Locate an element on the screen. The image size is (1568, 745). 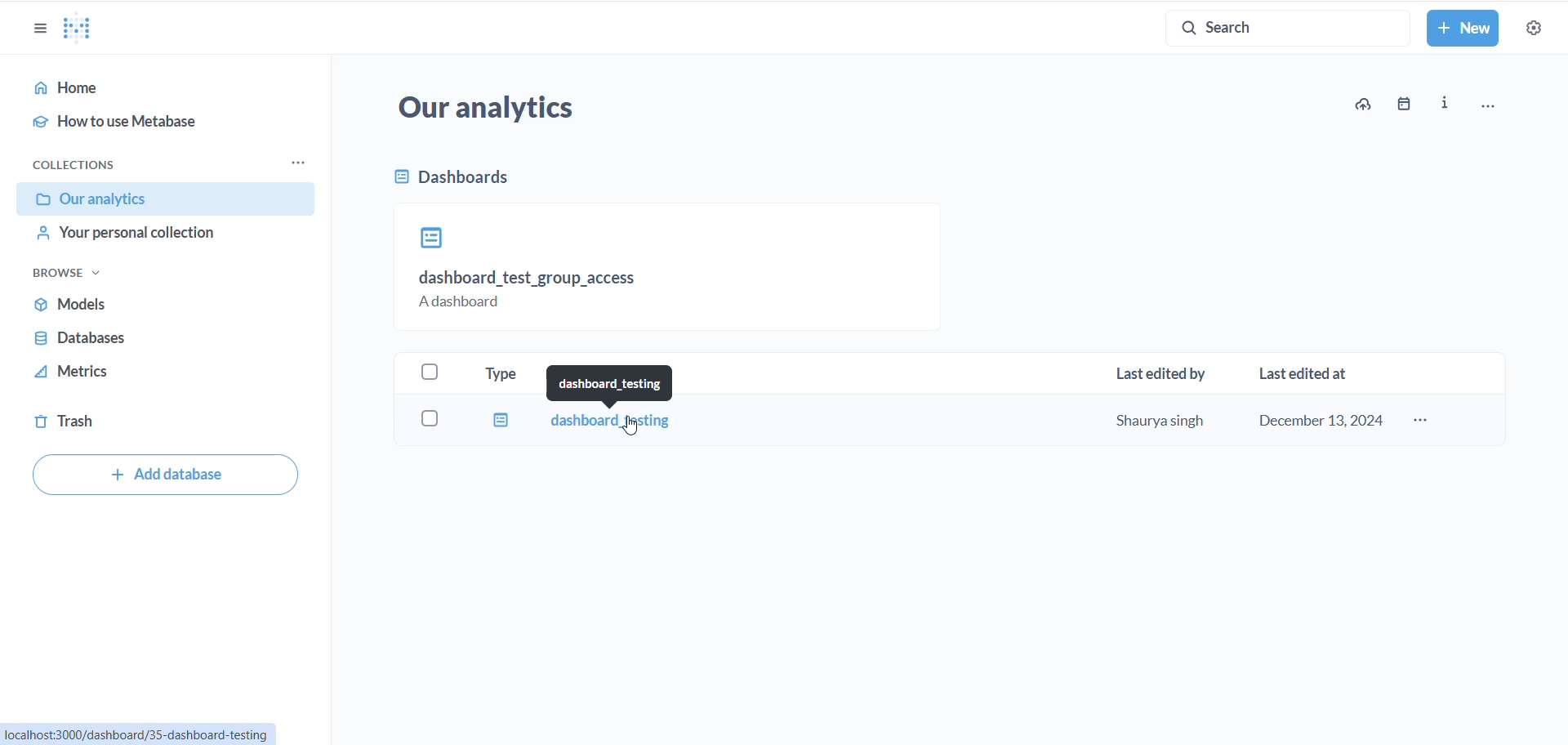
more option is located at coordinates (1495, 105).